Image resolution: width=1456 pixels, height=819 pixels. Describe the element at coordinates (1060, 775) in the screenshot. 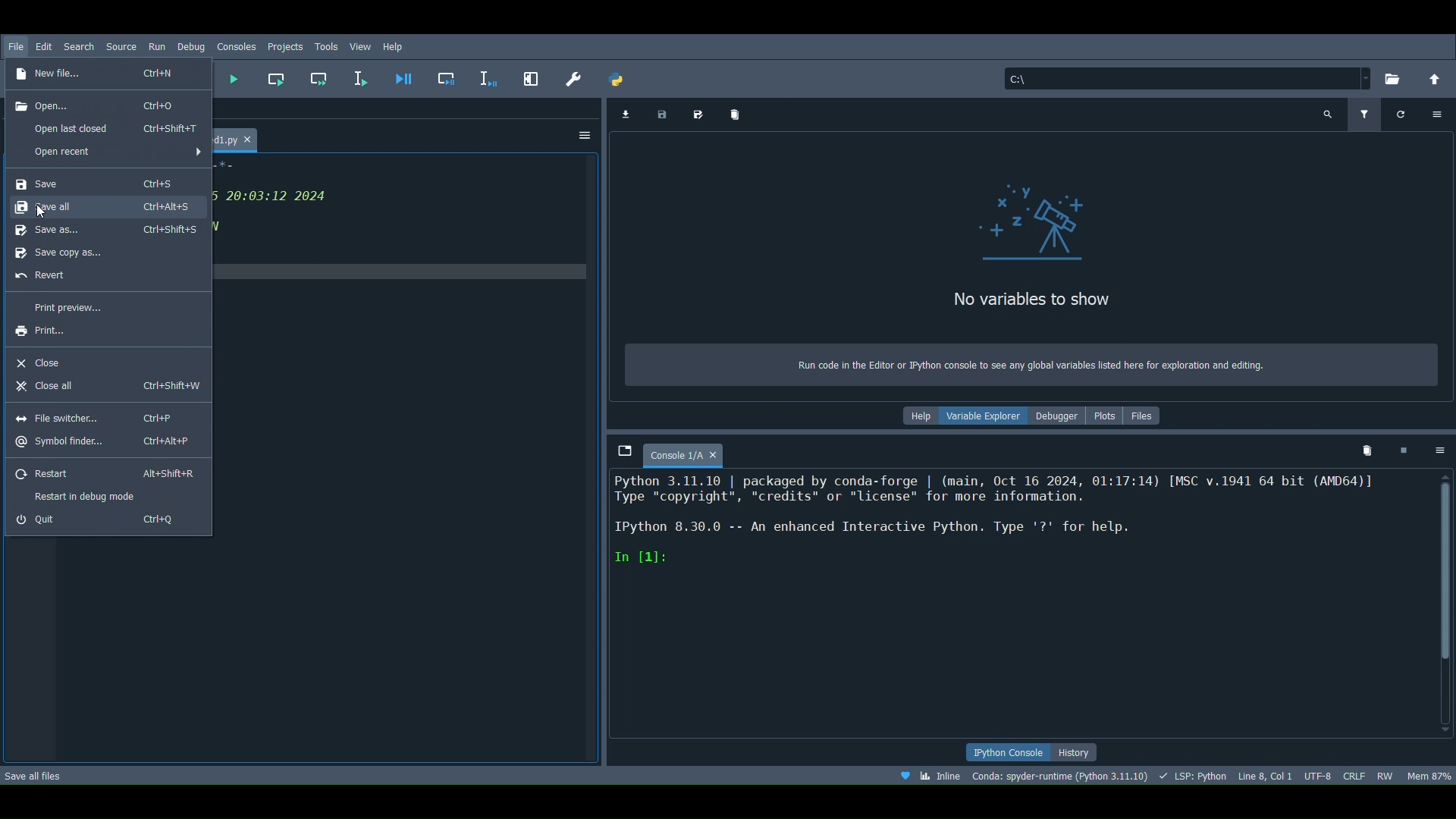

I see `Version` at that location.